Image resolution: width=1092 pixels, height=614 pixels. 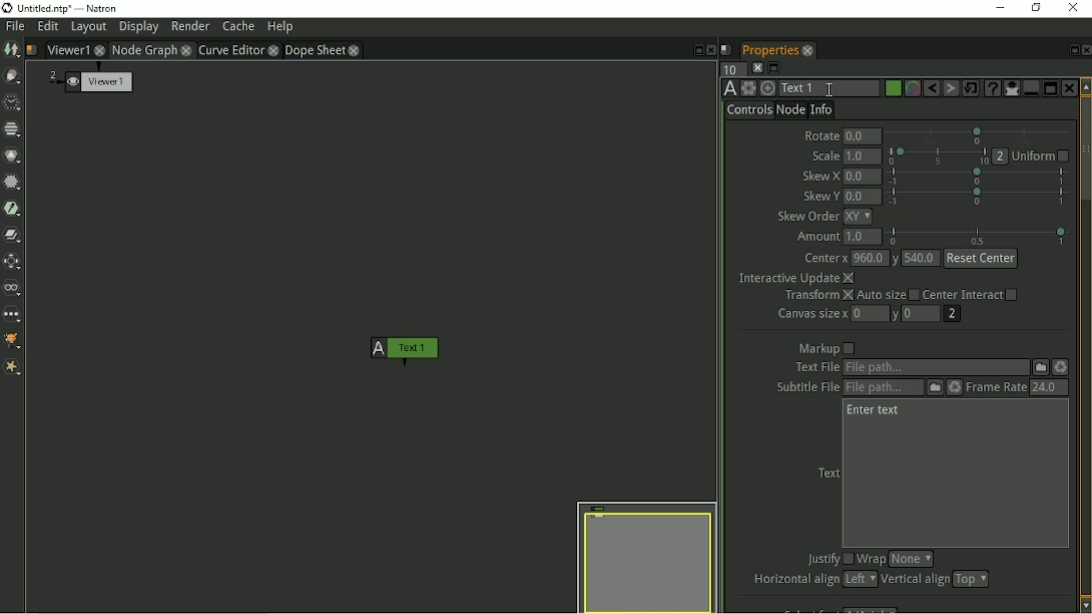 What do you see at coordinates (1011, 88) in the screenshot?
I see `Show/hide all parameters` at bounding box center [1011, 88].